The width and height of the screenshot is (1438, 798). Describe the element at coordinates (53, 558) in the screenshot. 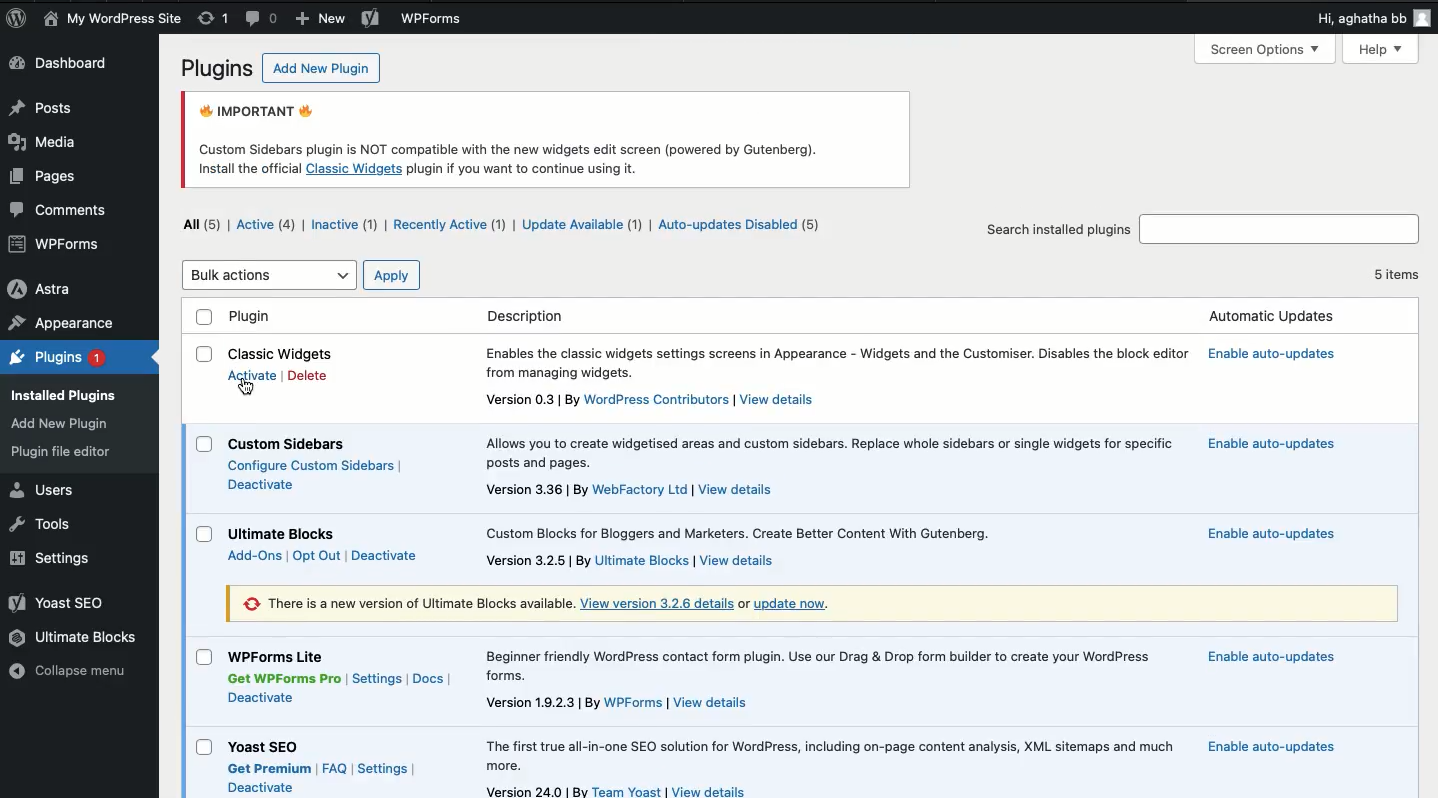

I see `Settings` at that location.